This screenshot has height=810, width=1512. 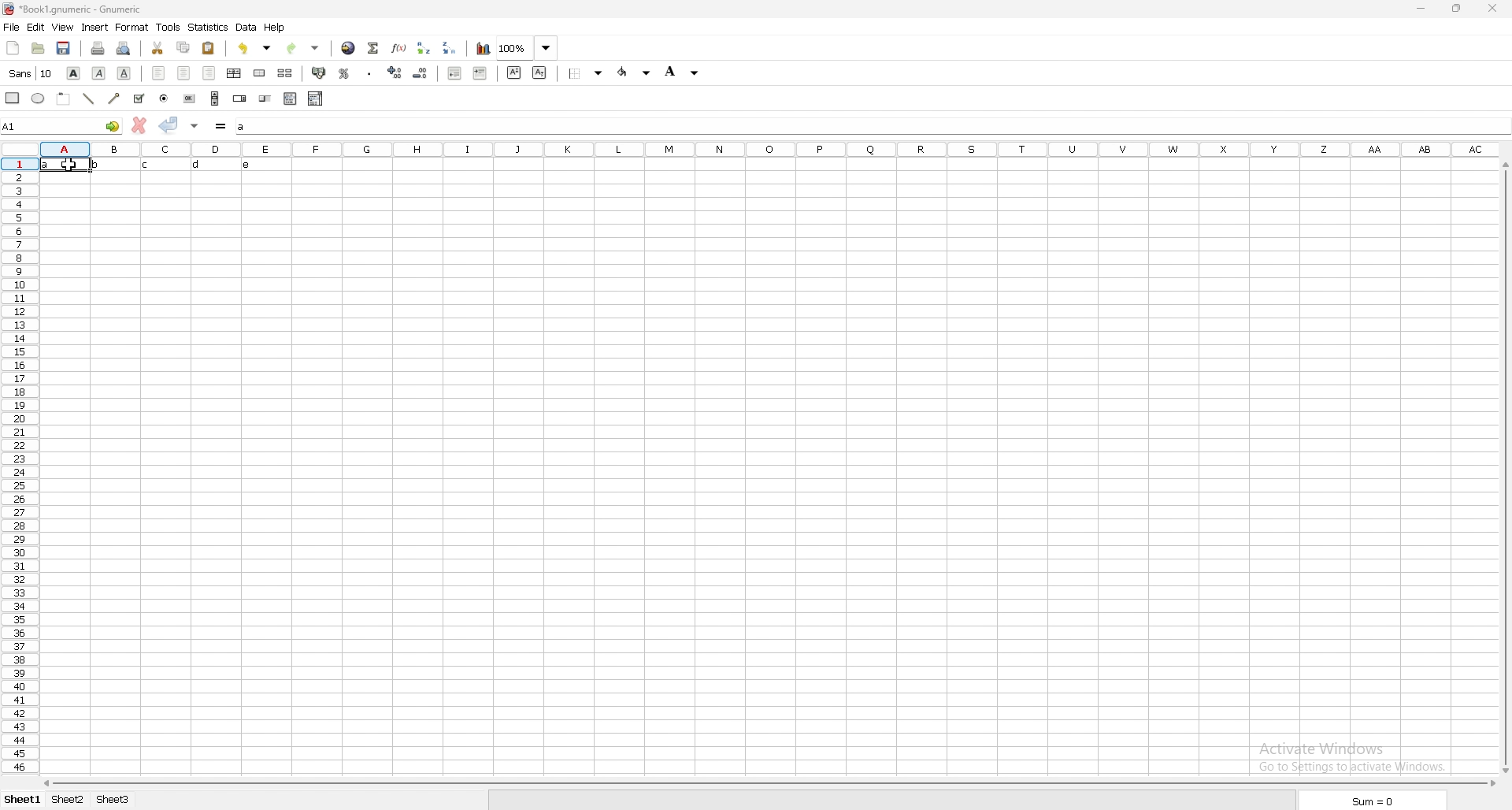 I want to click on combo box, so click(x=315, y=98).